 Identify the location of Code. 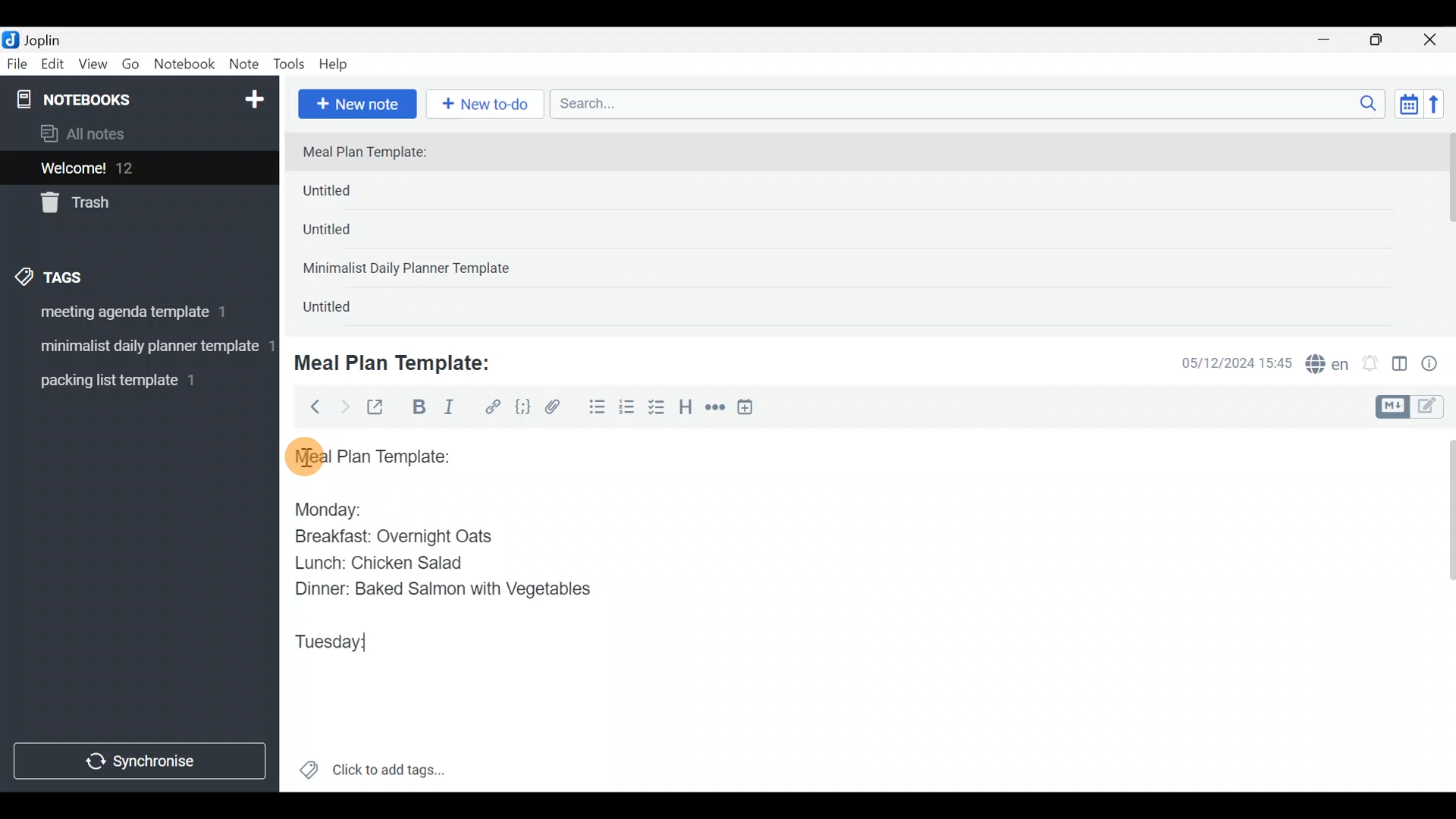
(521, 406).